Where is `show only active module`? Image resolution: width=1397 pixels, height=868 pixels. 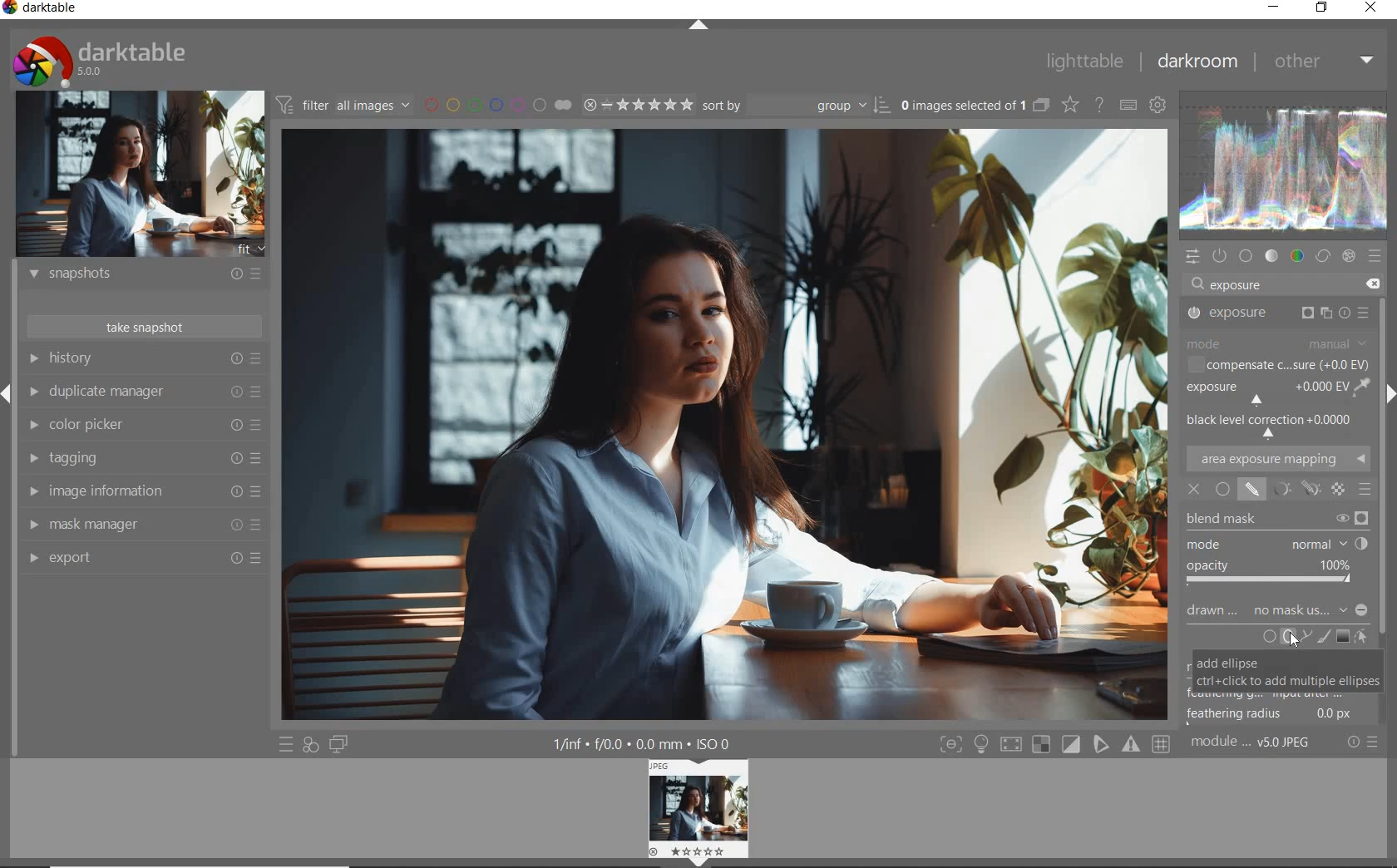 show only active module is located at coordinates (1221, 255).